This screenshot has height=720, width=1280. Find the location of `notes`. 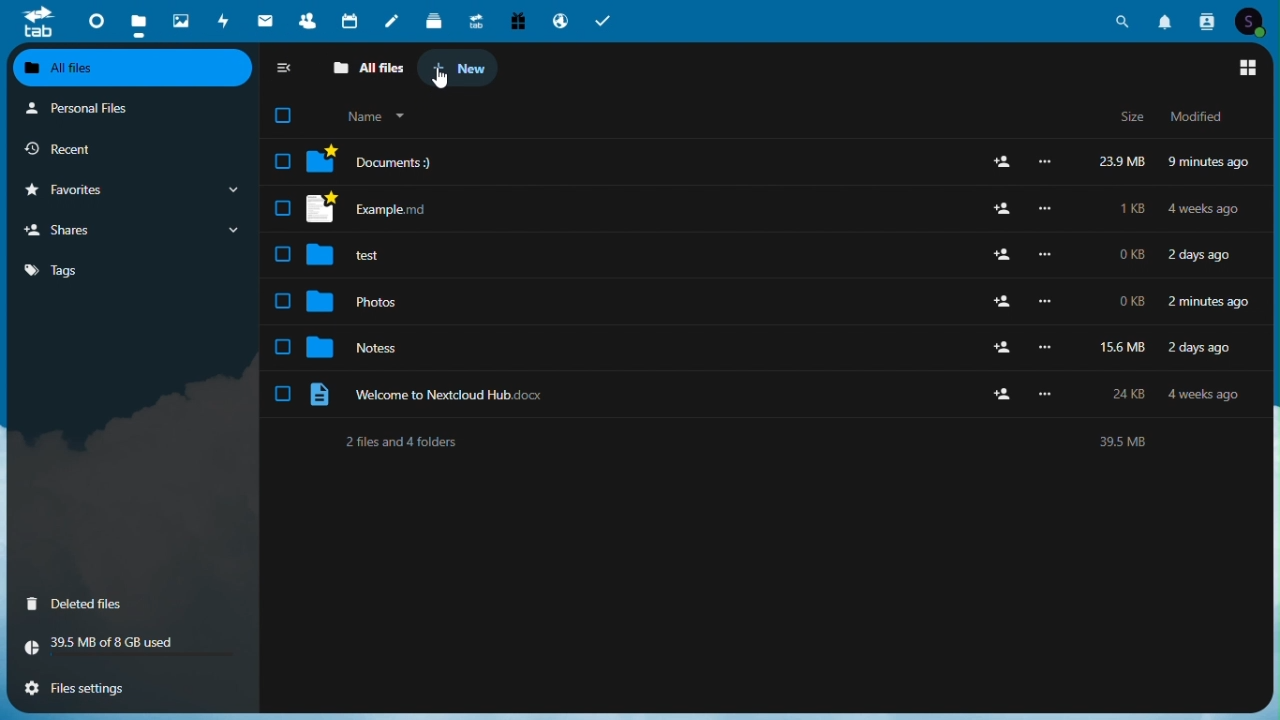

notes is located at coordinates (396, 19).